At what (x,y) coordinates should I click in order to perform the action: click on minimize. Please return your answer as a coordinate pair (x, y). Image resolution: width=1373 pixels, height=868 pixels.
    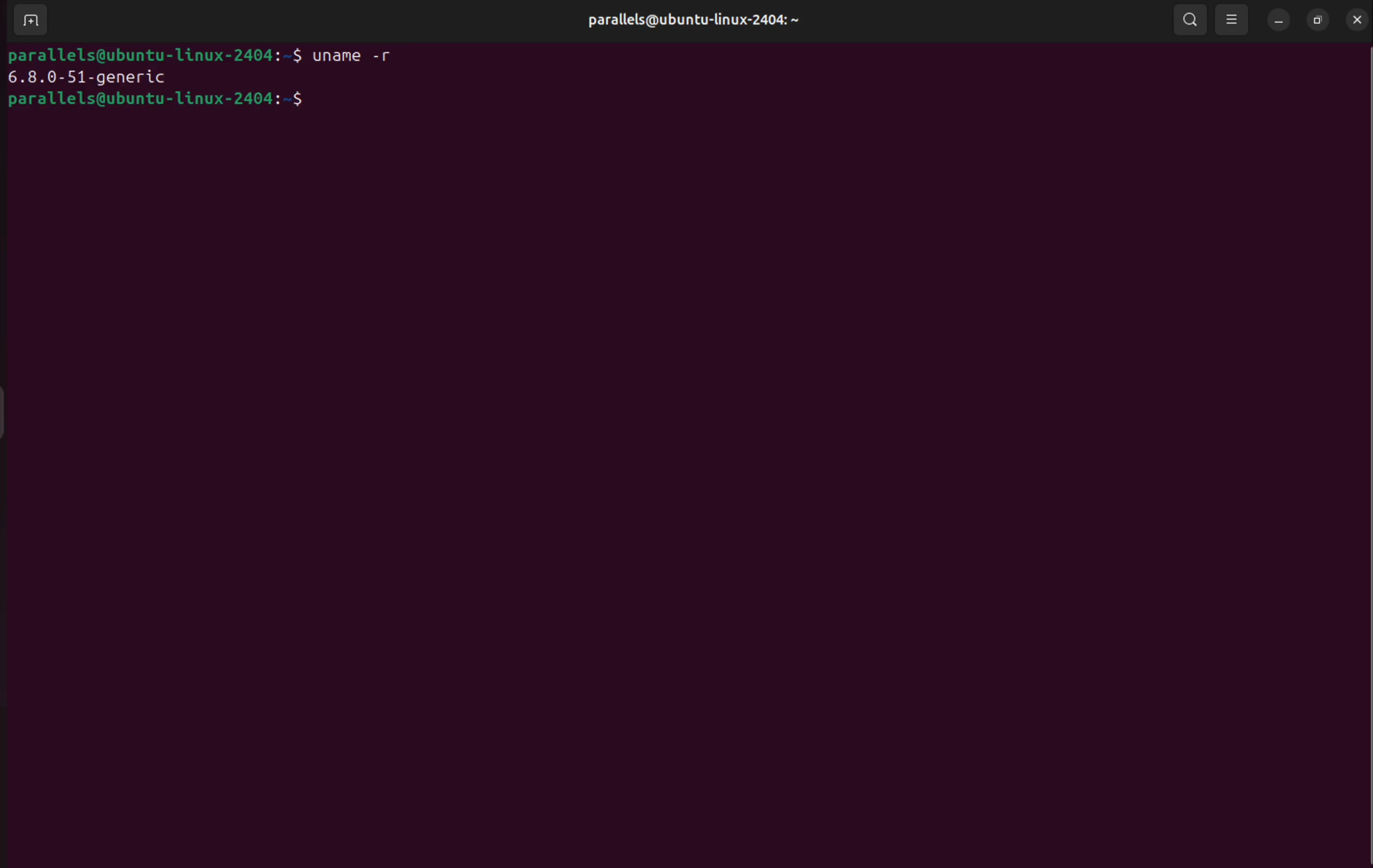
    Looking at the image, I should click on (1276, 20).